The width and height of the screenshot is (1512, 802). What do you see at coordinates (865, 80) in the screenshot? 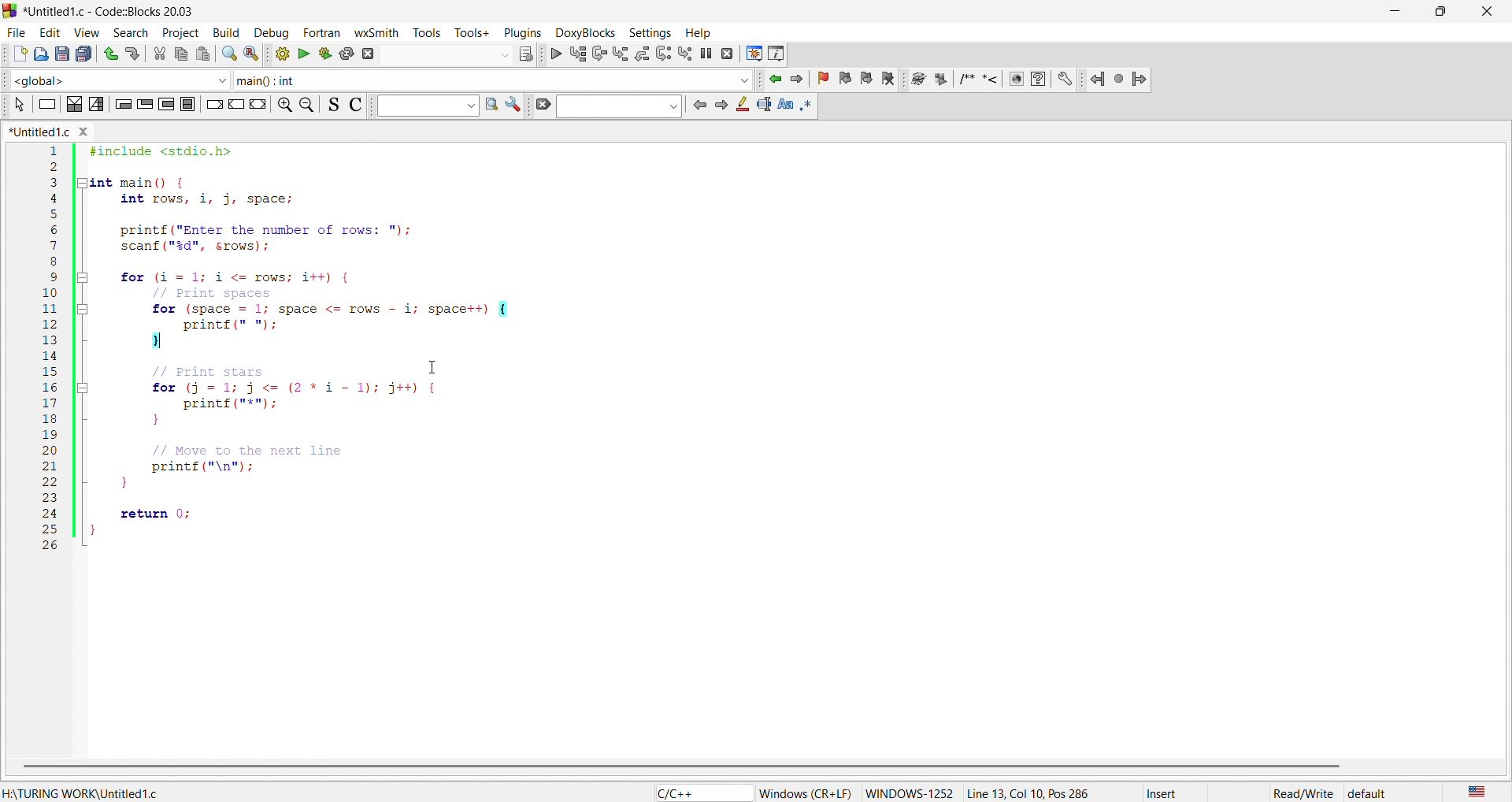
I see `next bookmark` at bounding box center [865, 80].